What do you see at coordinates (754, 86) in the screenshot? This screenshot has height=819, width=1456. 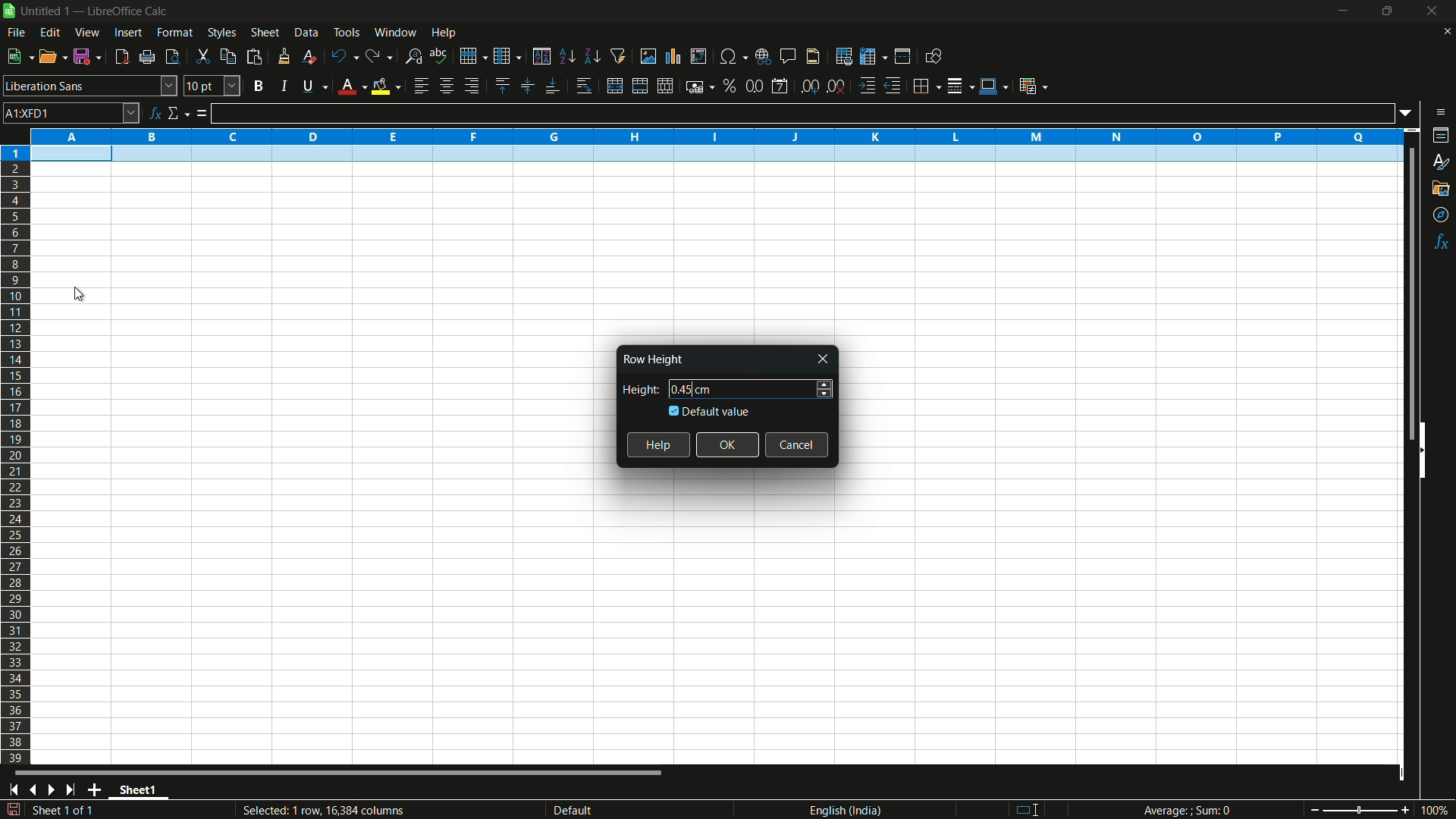 I see `format as number` at bounding box center [754, 86].